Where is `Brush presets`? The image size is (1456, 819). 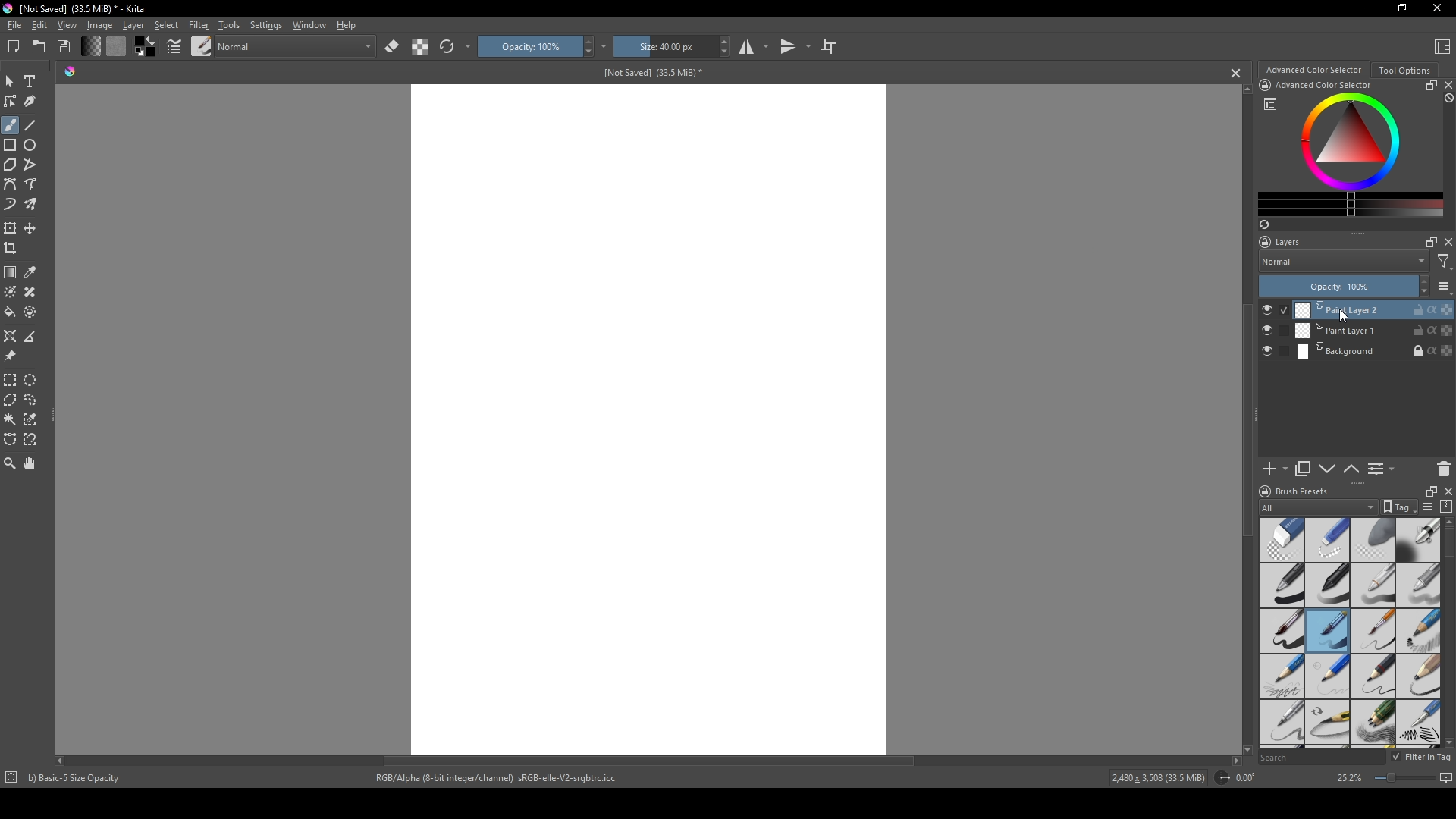 Brush presets is located at coordinates (1303, 491).